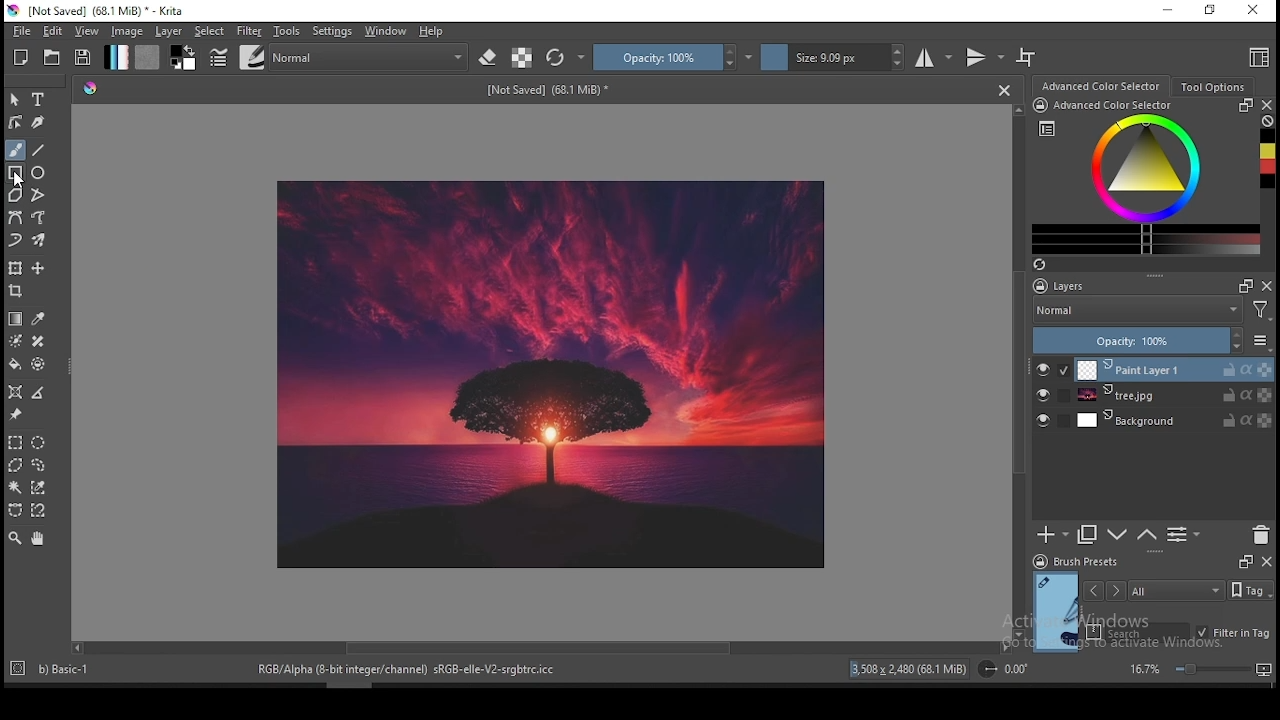  Describe the element at coordinates (1155, 310) in the screenshot. I see `blending mode` at that location.